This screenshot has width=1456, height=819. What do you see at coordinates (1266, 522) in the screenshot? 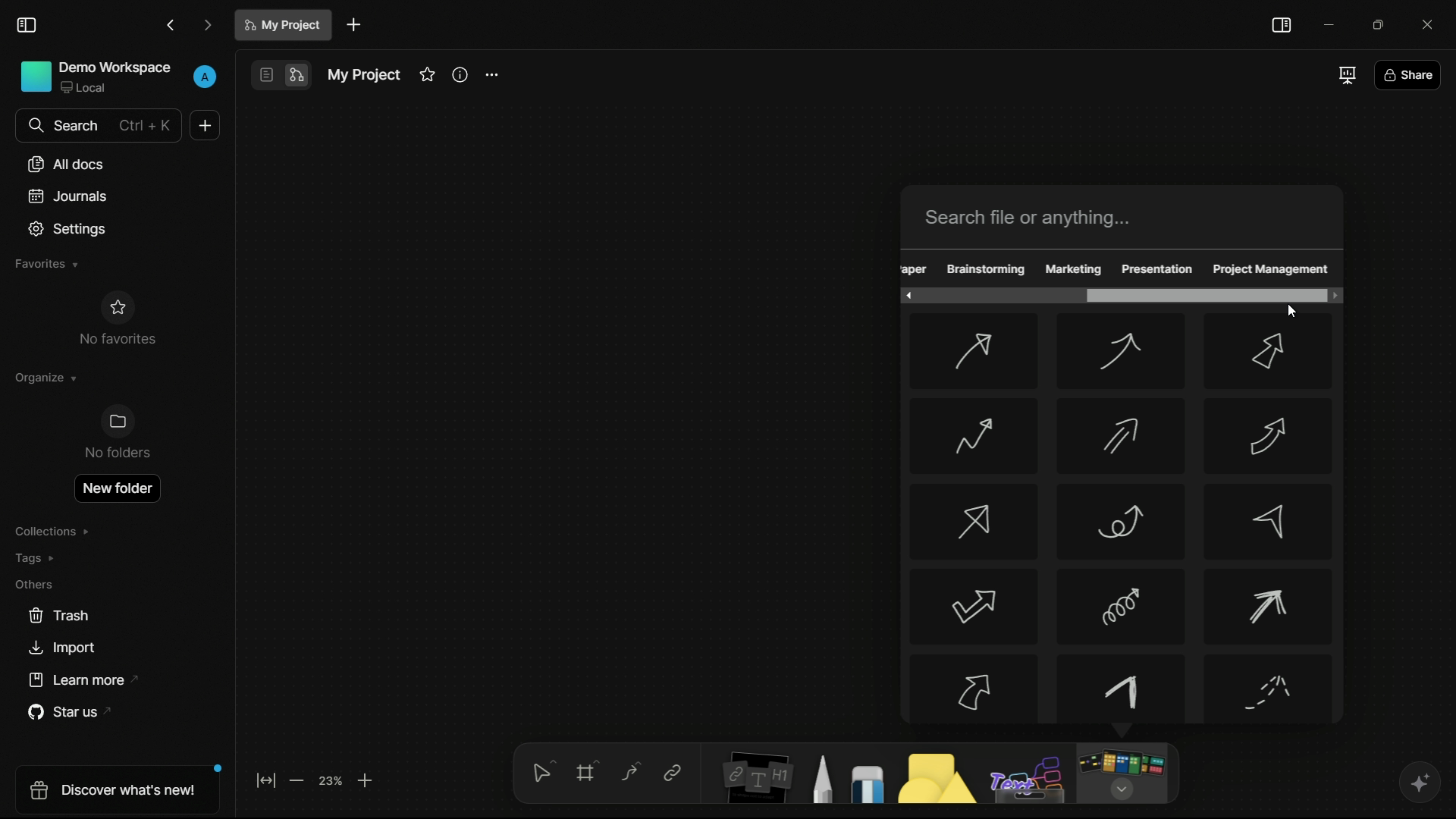
I see `arrow-9` at bounding box center [1266, 522].